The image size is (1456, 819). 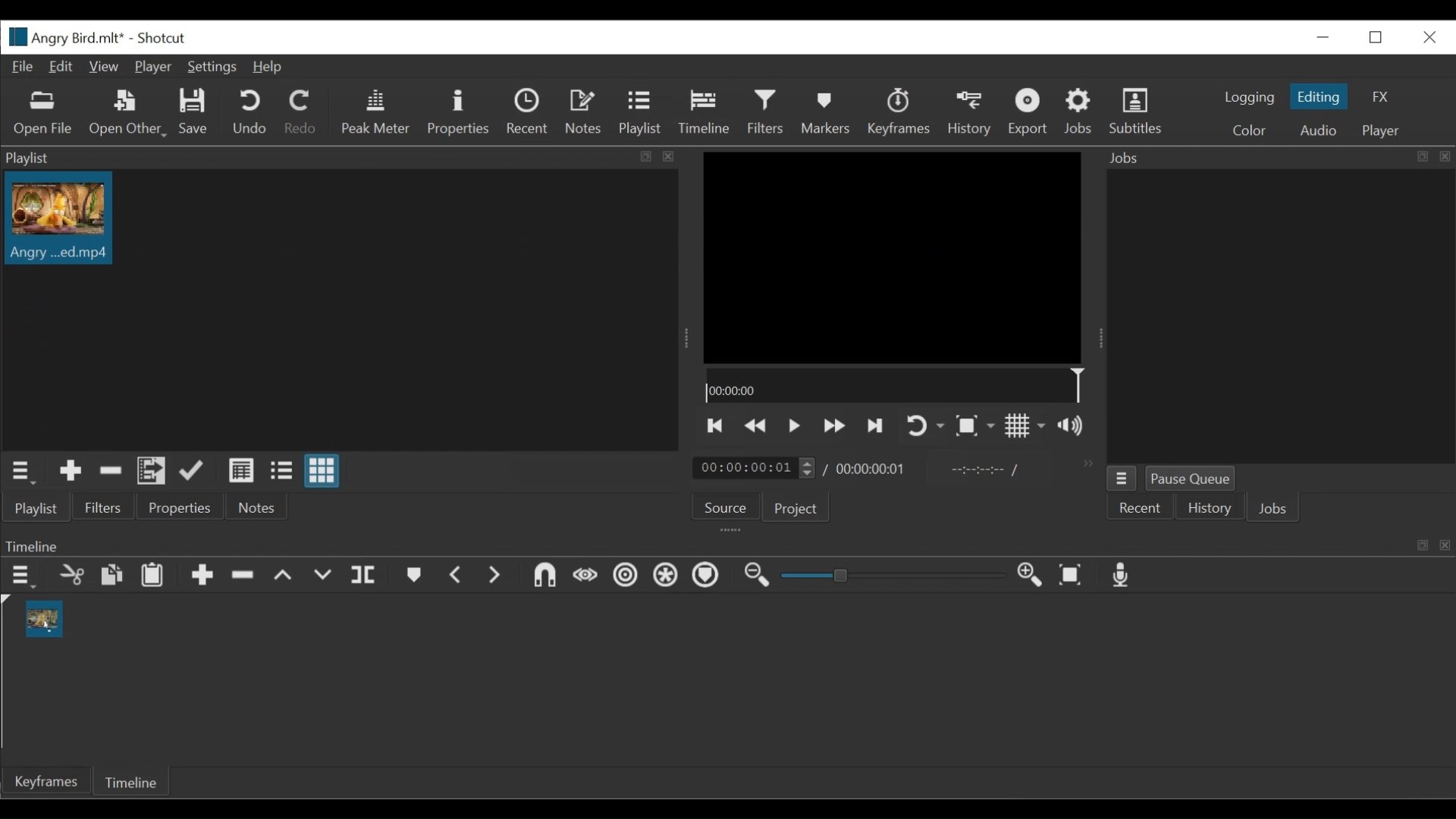 I want to click on Player, so click(x=152, y=65).